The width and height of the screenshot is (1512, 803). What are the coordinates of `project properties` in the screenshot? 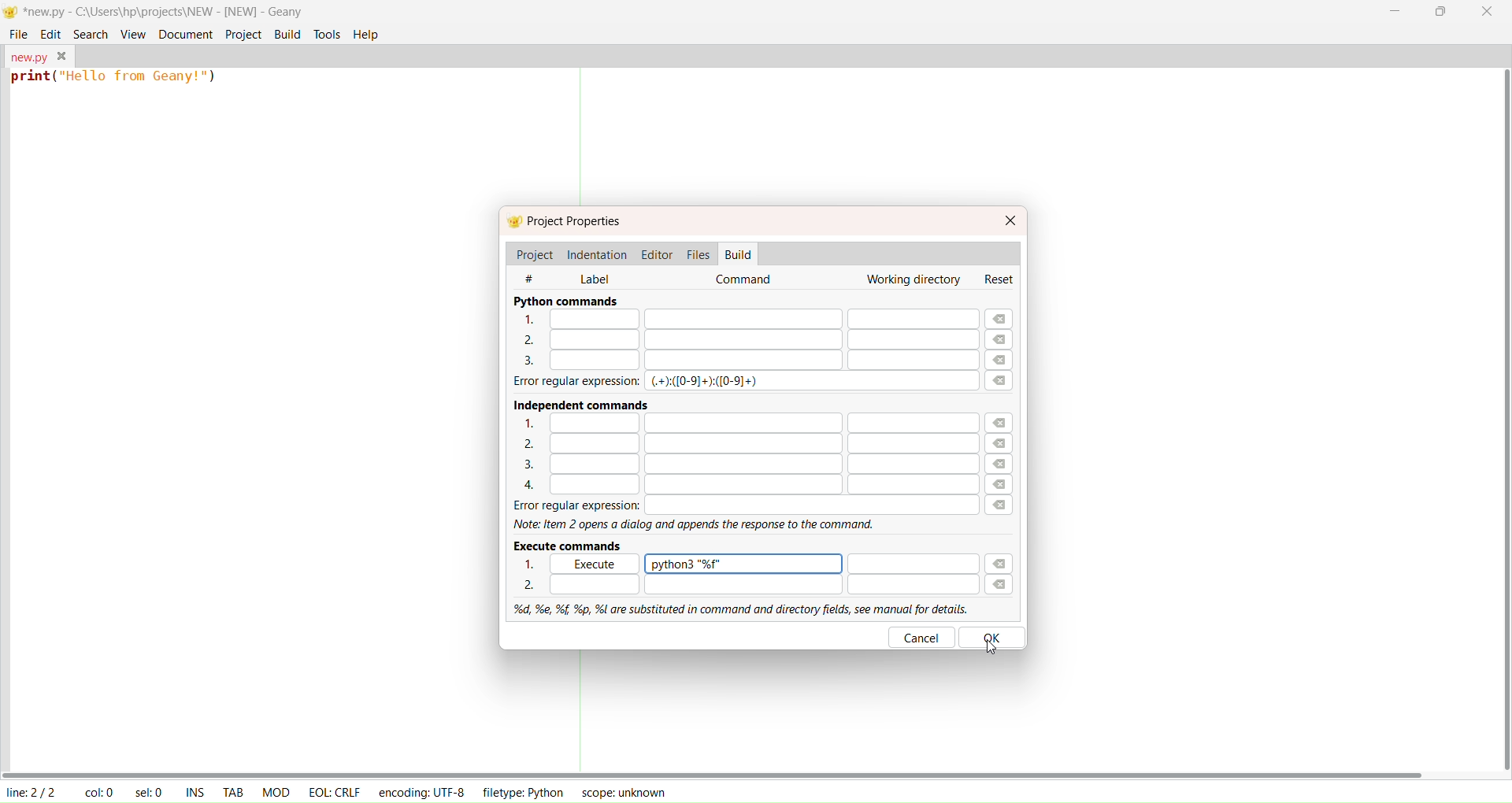 It's located at (576, 222).